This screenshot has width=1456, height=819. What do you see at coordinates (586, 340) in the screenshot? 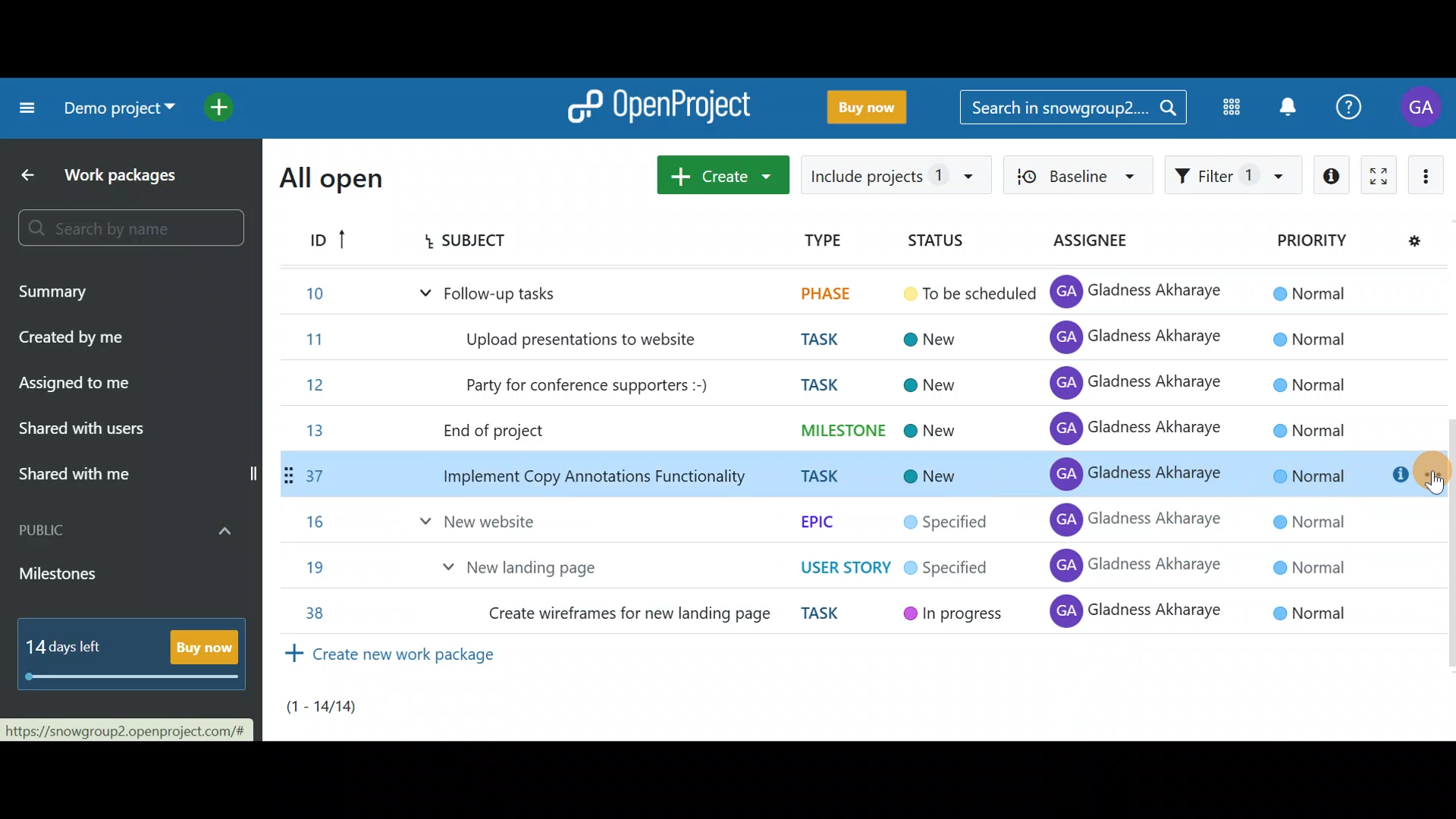
I see `Upload presentations to website` at bounding box center [586, 340].